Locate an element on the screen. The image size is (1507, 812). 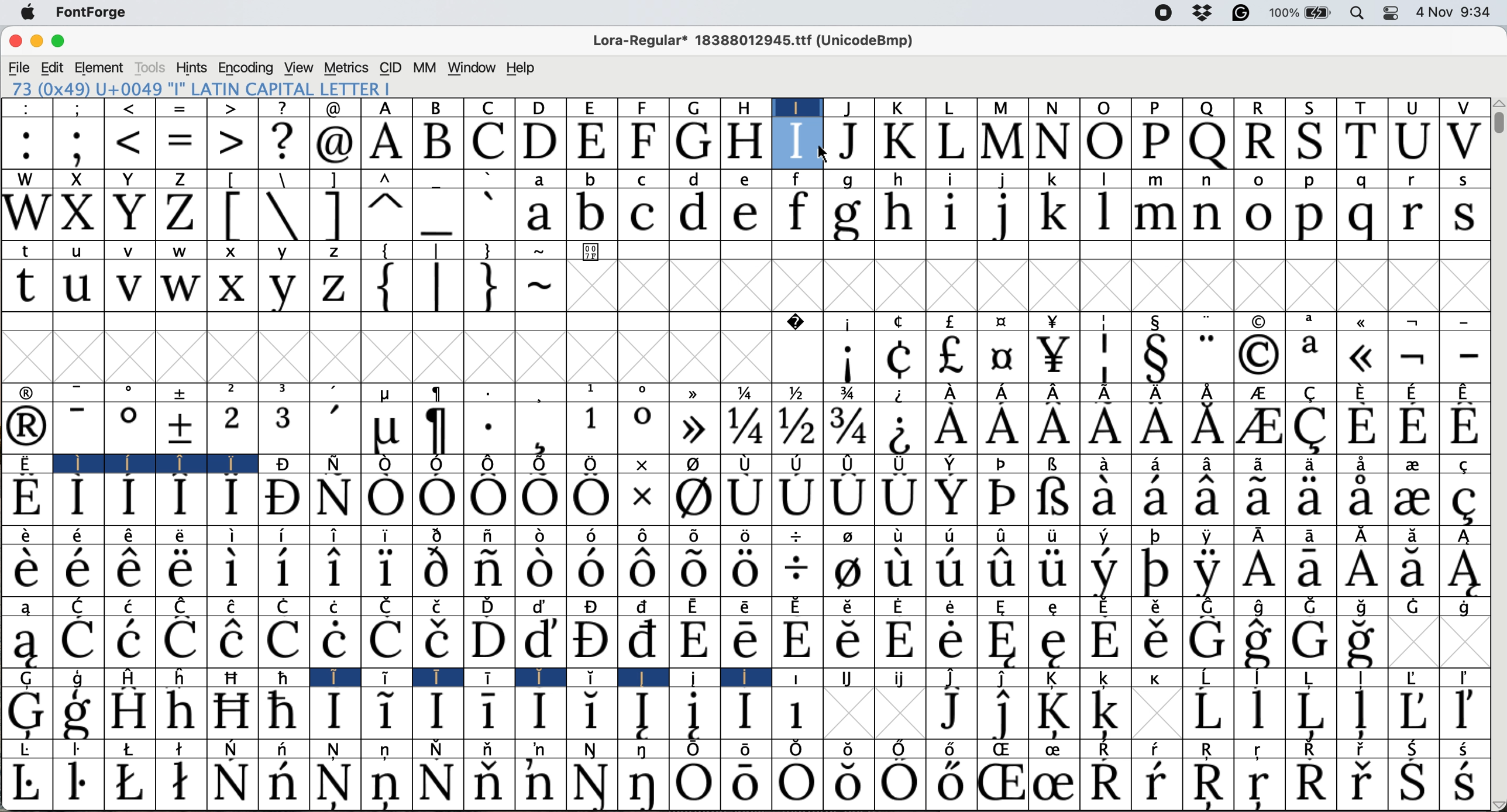
Symbol is located at coordinates (1155, 426).